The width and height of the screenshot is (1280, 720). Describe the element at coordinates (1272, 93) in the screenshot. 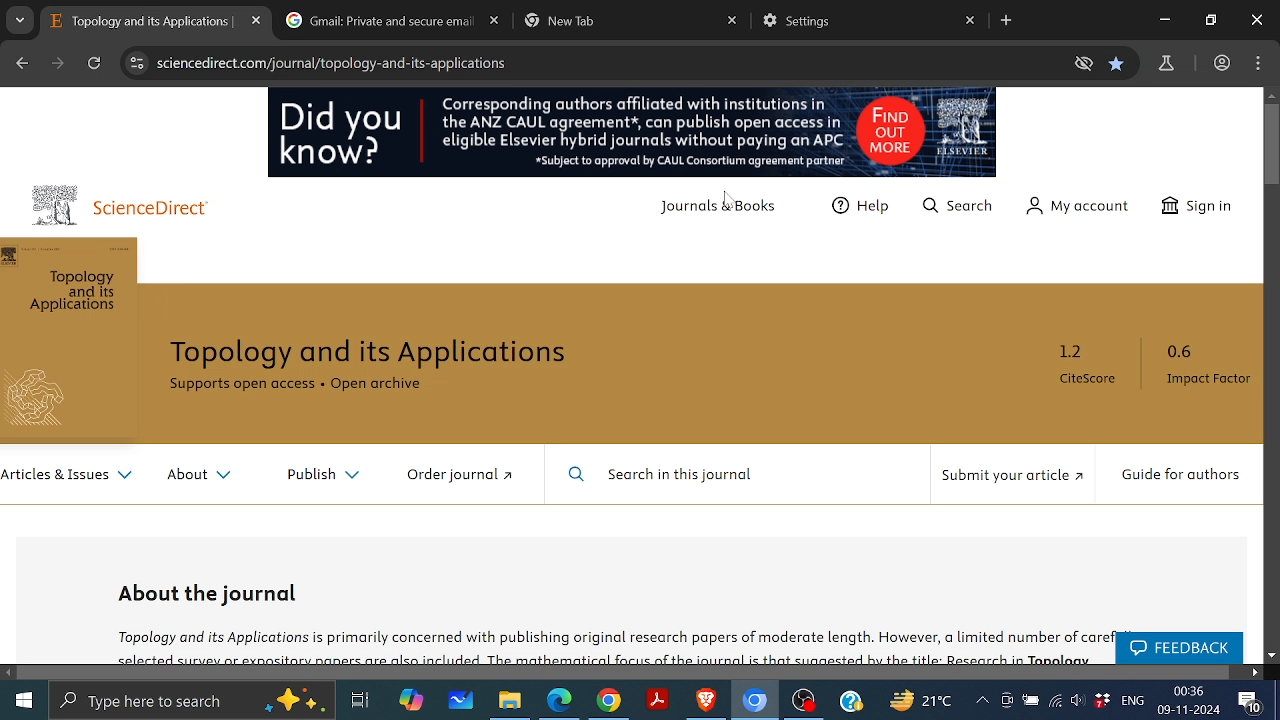

I see `move up` at that location.